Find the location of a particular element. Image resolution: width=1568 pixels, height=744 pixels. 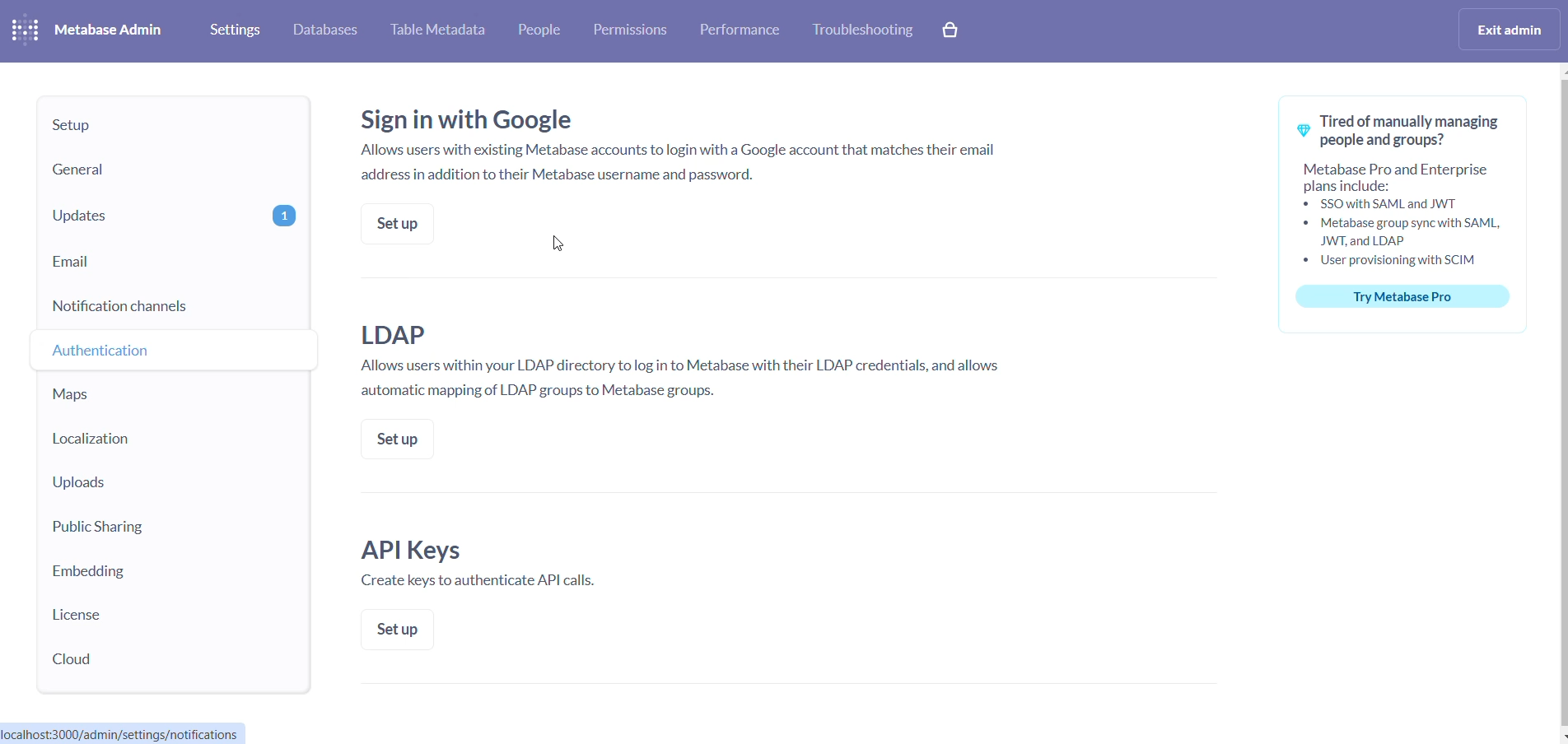

cursor is located at coordinates (565, 244).